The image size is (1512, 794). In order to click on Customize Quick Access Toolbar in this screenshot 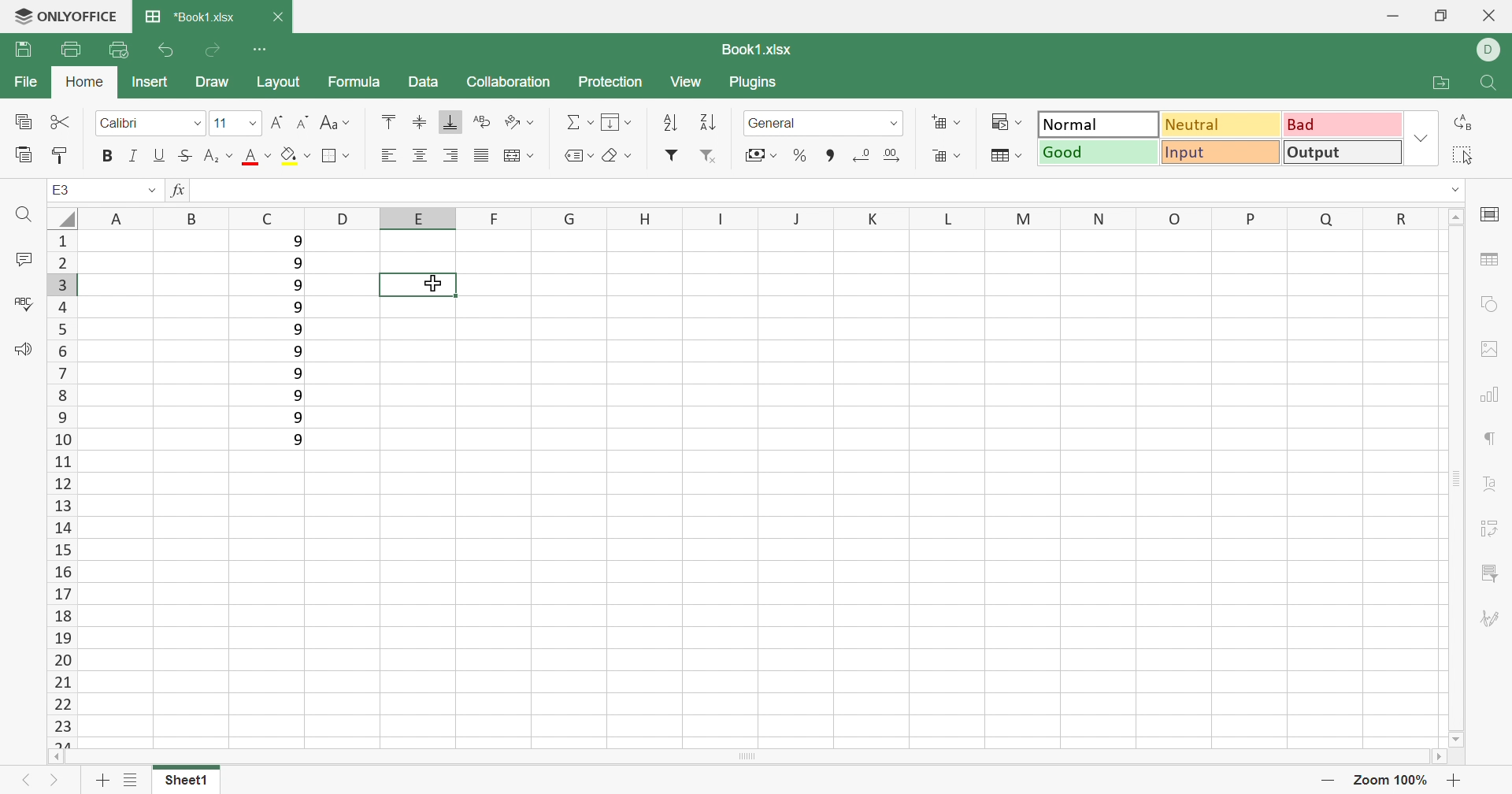, I will do `click(259, 48)`.